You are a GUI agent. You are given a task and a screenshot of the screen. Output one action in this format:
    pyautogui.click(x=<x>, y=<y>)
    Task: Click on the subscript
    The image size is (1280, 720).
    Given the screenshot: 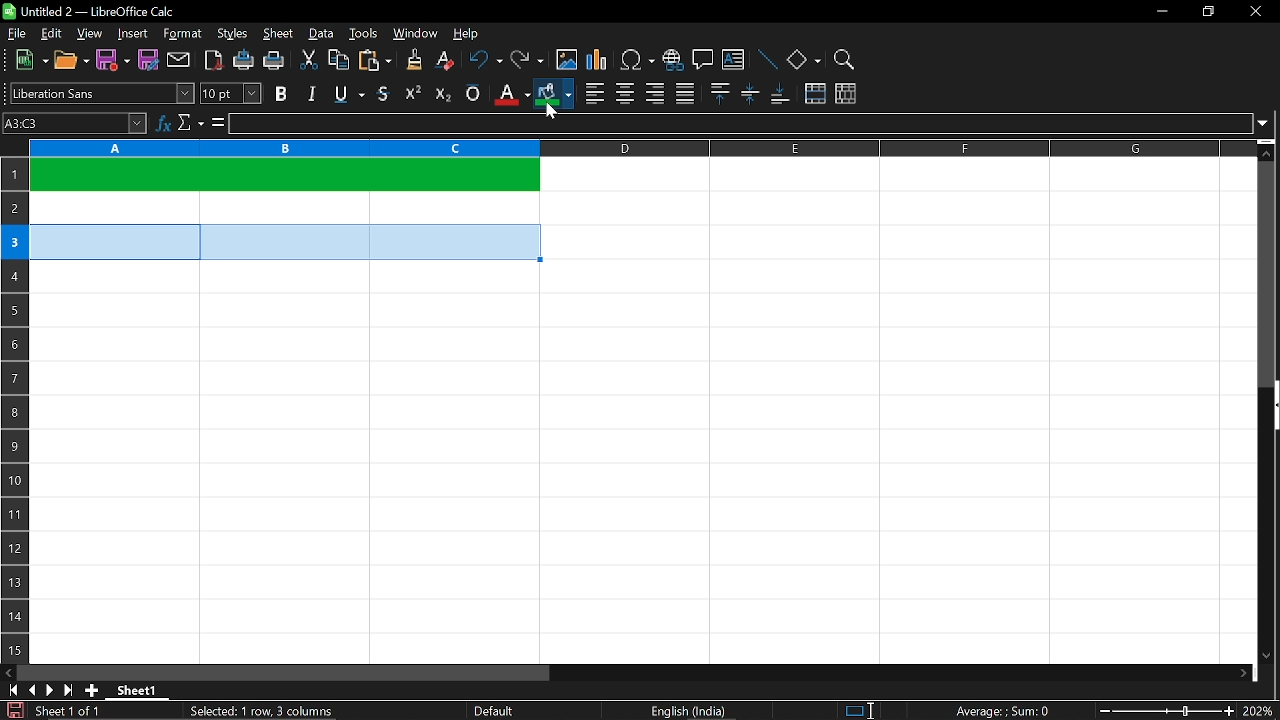 What is the action you would take?
    pyautogui.click(x=442, y=93)
    